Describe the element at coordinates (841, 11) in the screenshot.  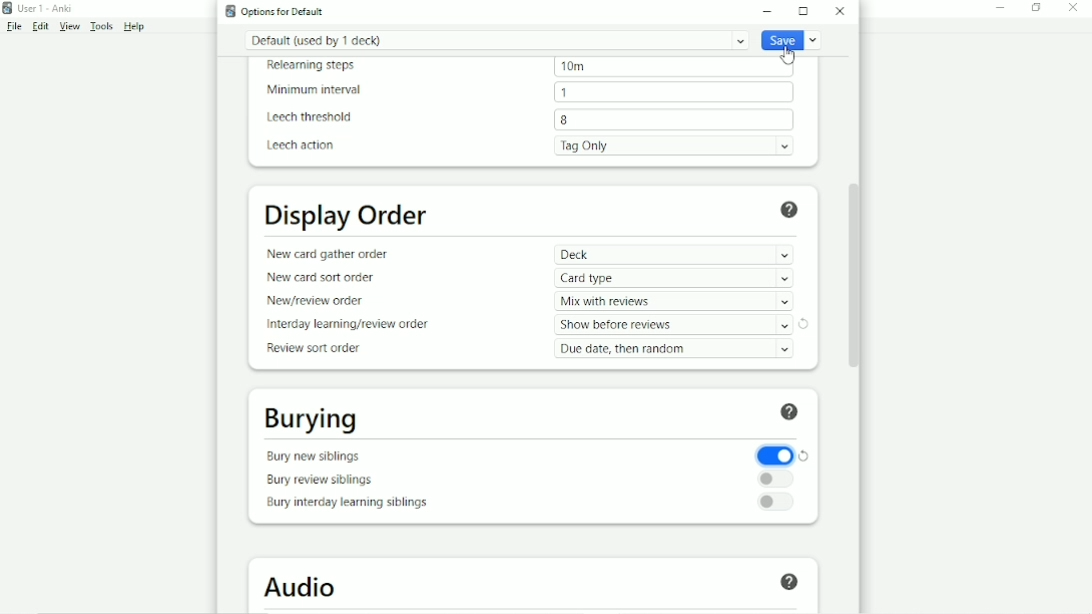
I see `Close` at that location.